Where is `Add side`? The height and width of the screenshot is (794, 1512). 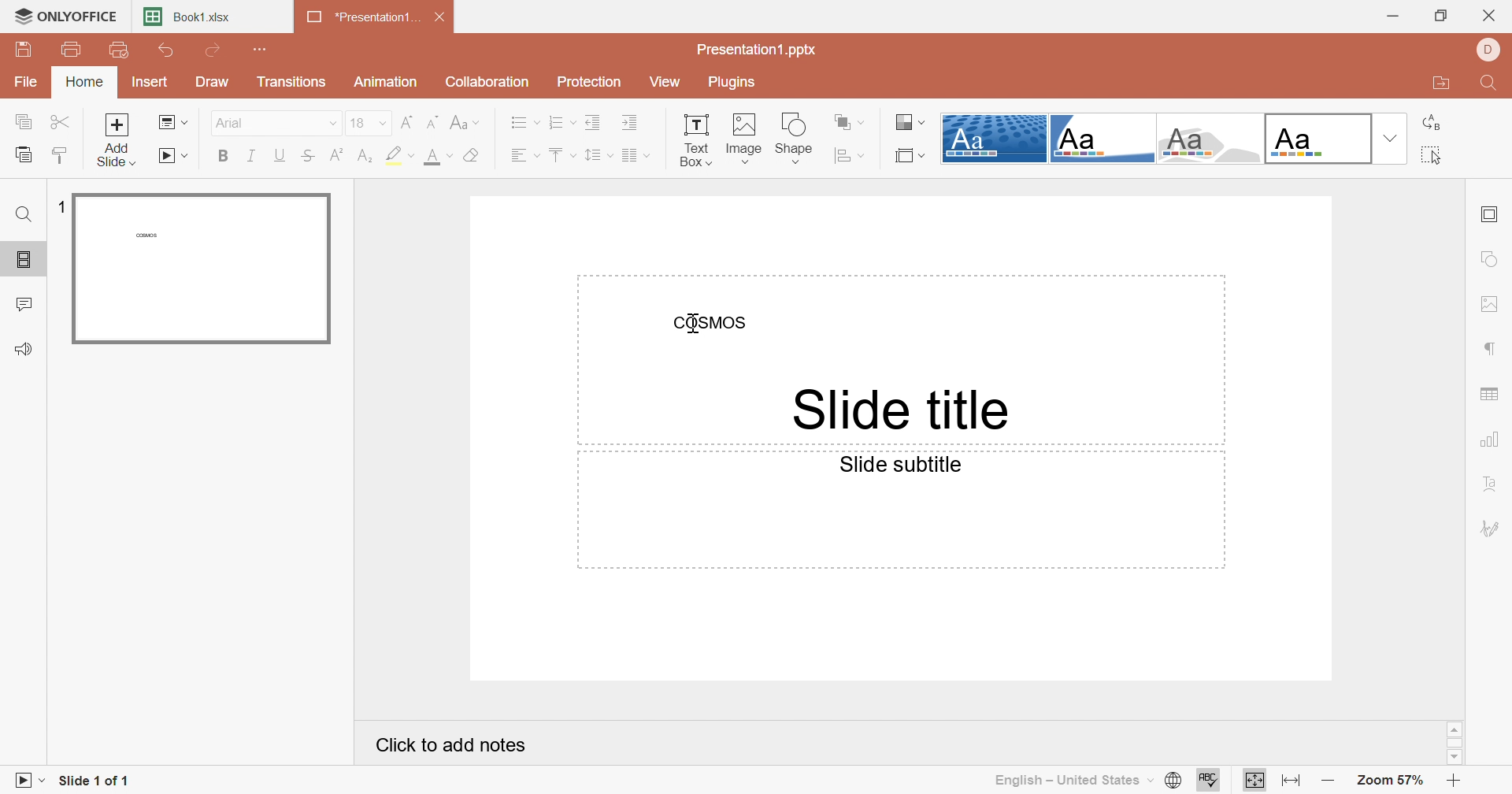 Add side is located at coordinates (120, 143).